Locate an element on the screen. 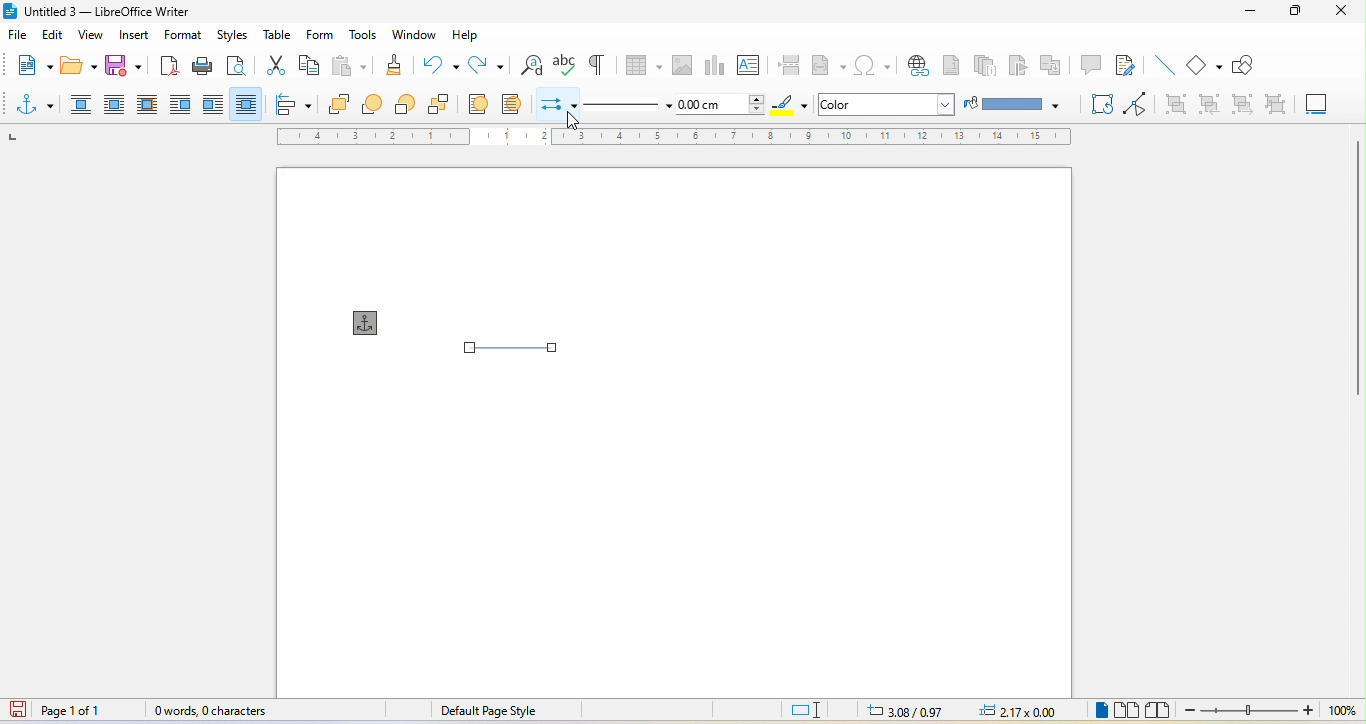 This screenshot has width=1366, height=724. open is located at coordinates (75, 67).